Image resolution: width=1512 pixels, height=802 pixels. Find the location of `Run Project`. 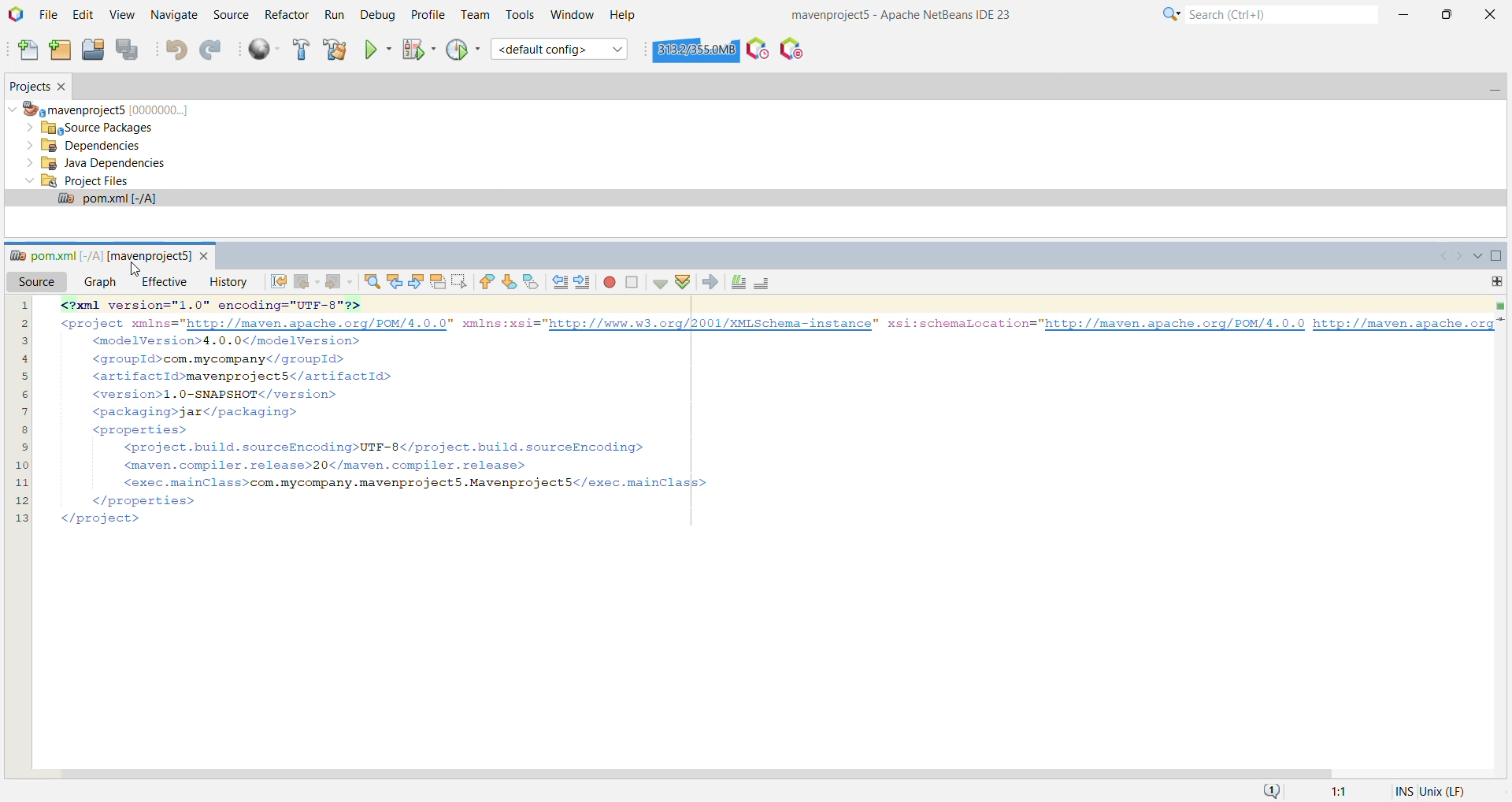

Run Project is located at coordinates (377, 50).